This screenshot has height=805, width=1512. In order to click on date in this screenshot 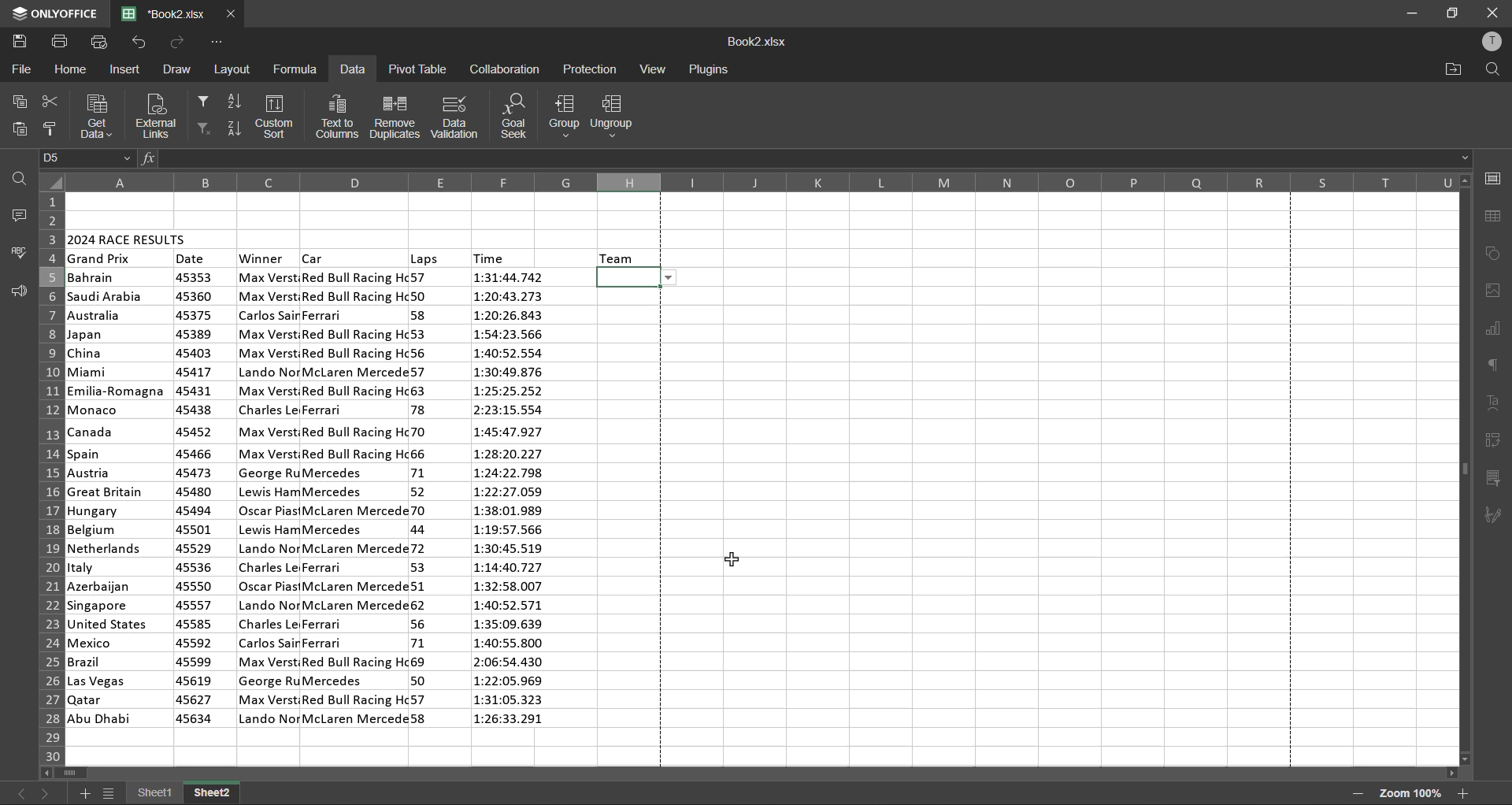, I will do `click(191, 258)`.